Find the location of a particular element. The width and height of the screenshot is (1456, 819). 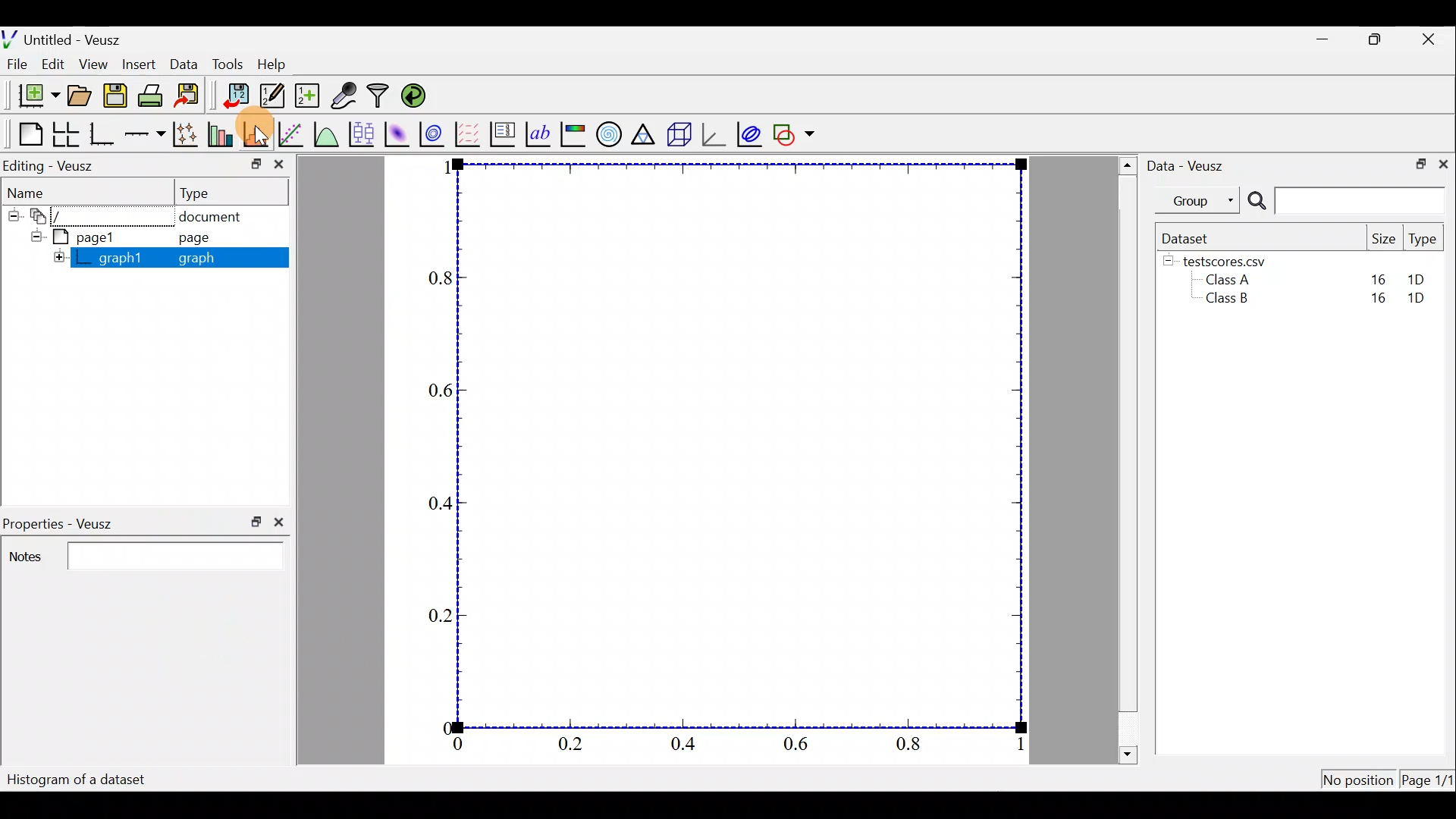

Data is located at coordinates (182, 62).